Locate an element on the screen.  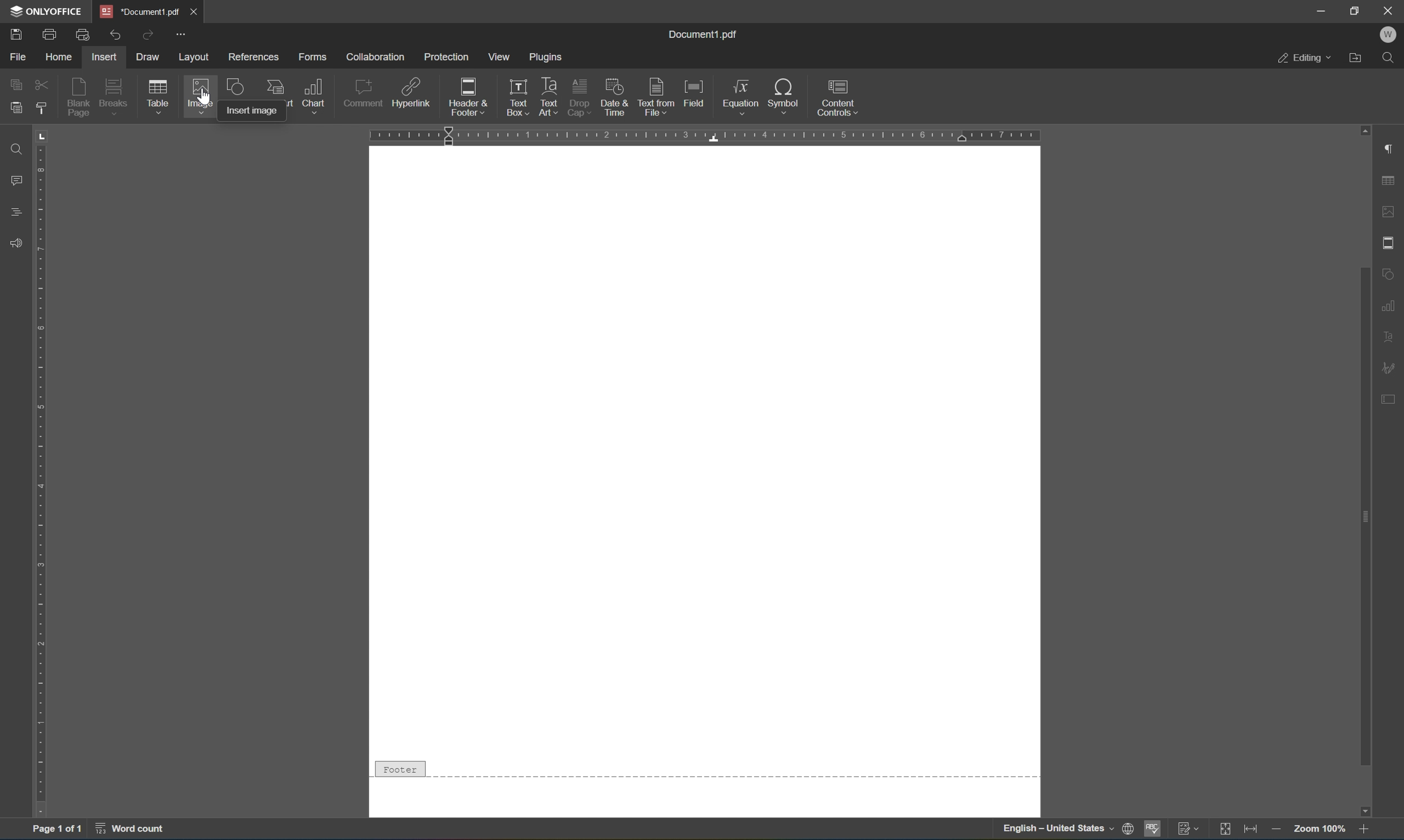
restore down is located at coordinates (1358, 11).